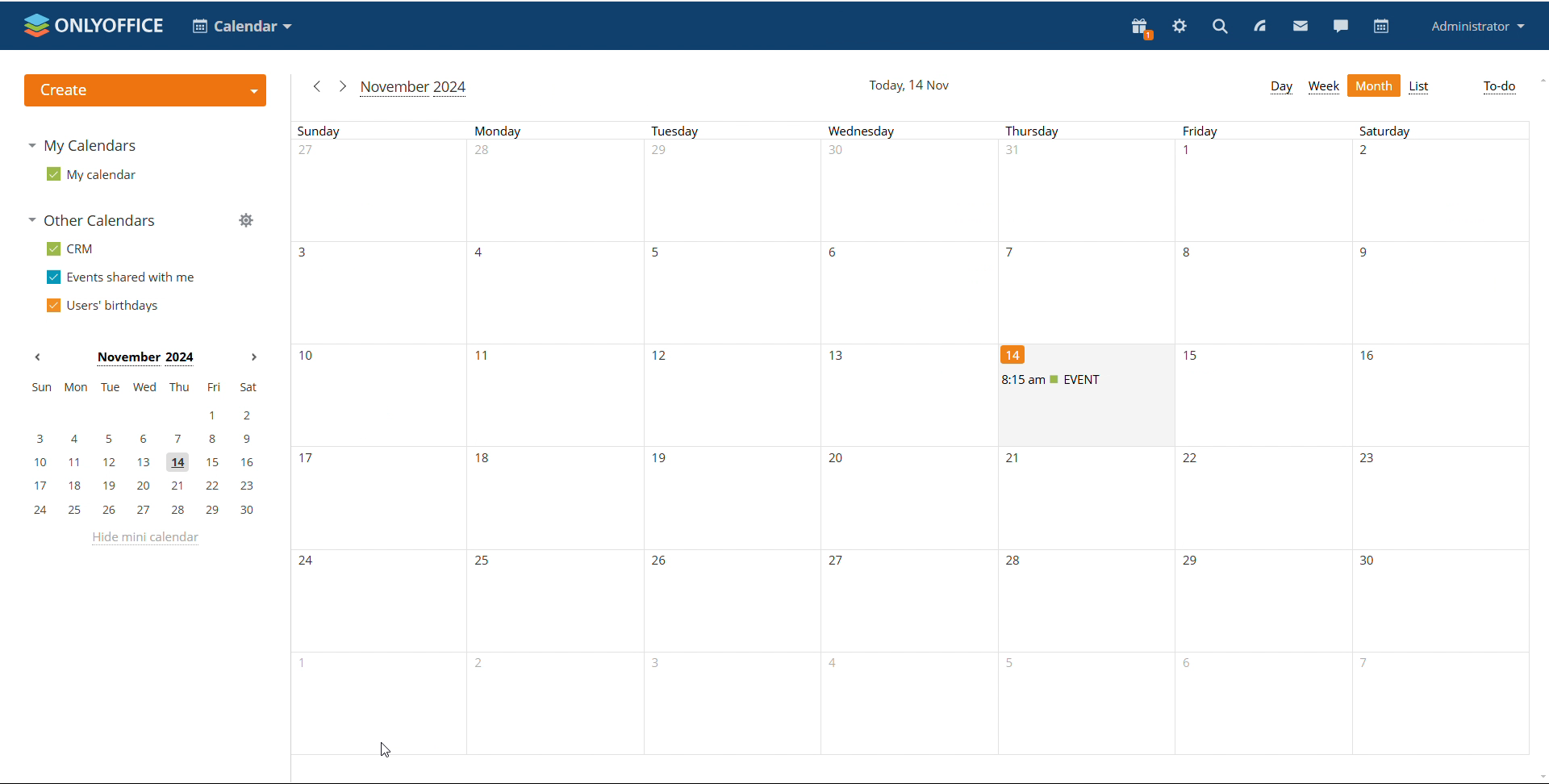 This screenshot has height=784, width=1549. What do you see at coordinates (70, 250) in the screenshot?
I see `crm` at bounding box center [70, 250].